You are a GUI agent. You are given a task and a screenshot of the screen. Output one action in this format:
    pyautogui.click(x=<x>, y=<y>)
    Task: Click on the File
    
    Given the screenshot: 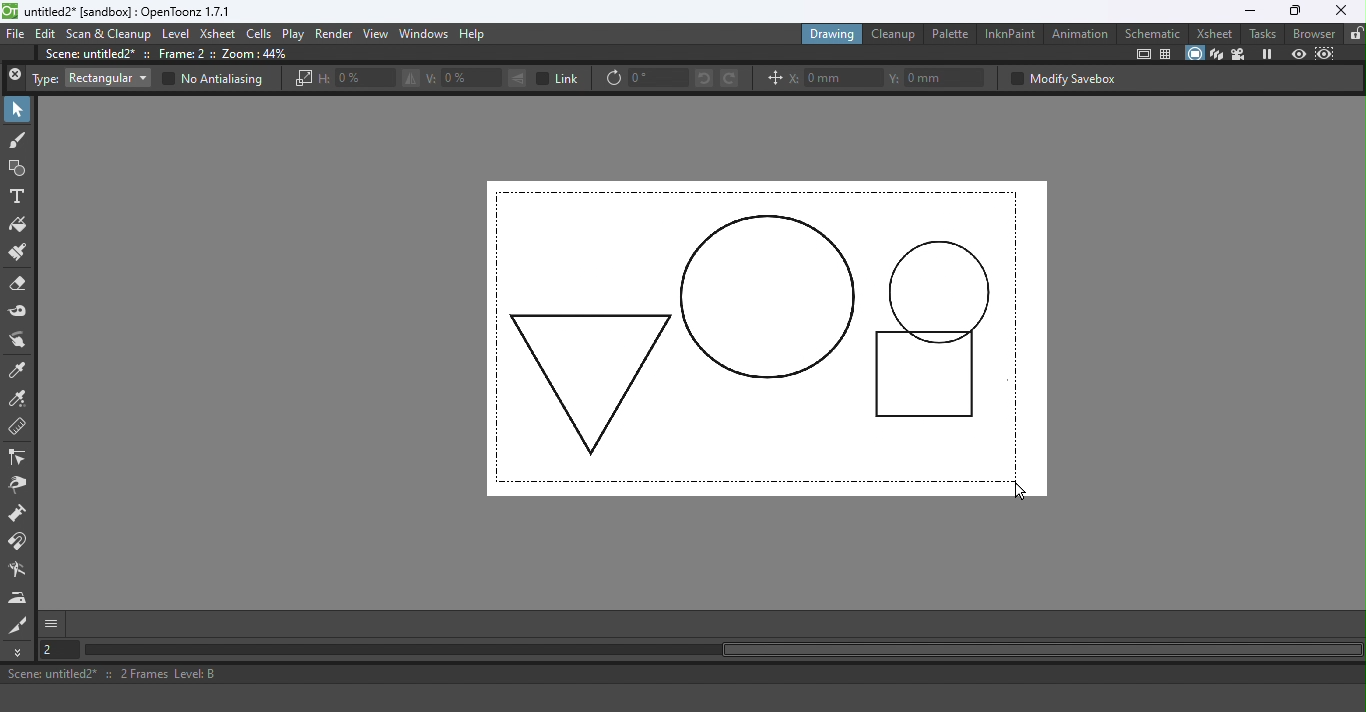 What is the action you would take?
    pyautogui.click(x=16, y=35)
    